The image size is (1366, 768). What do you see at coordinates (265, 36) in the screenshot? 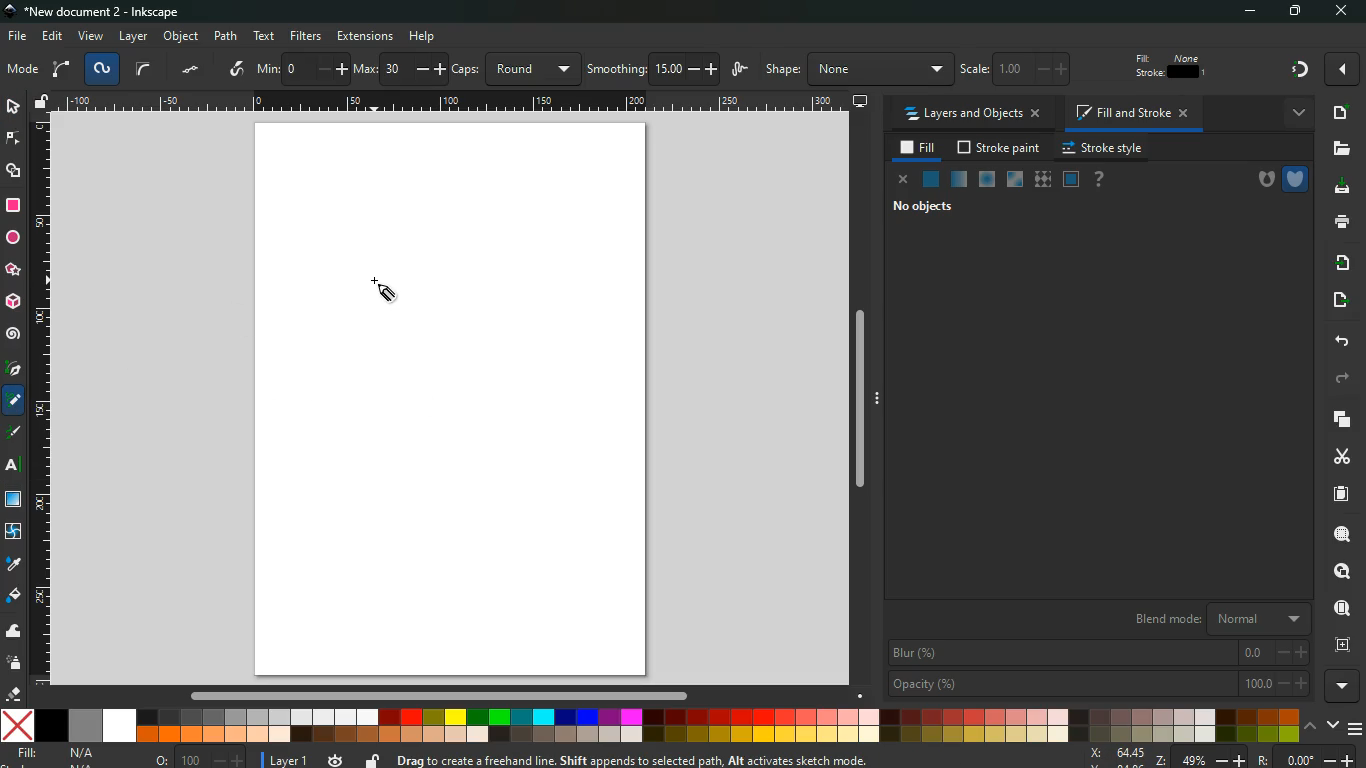
I see `text` at bounding box center [265, 36].